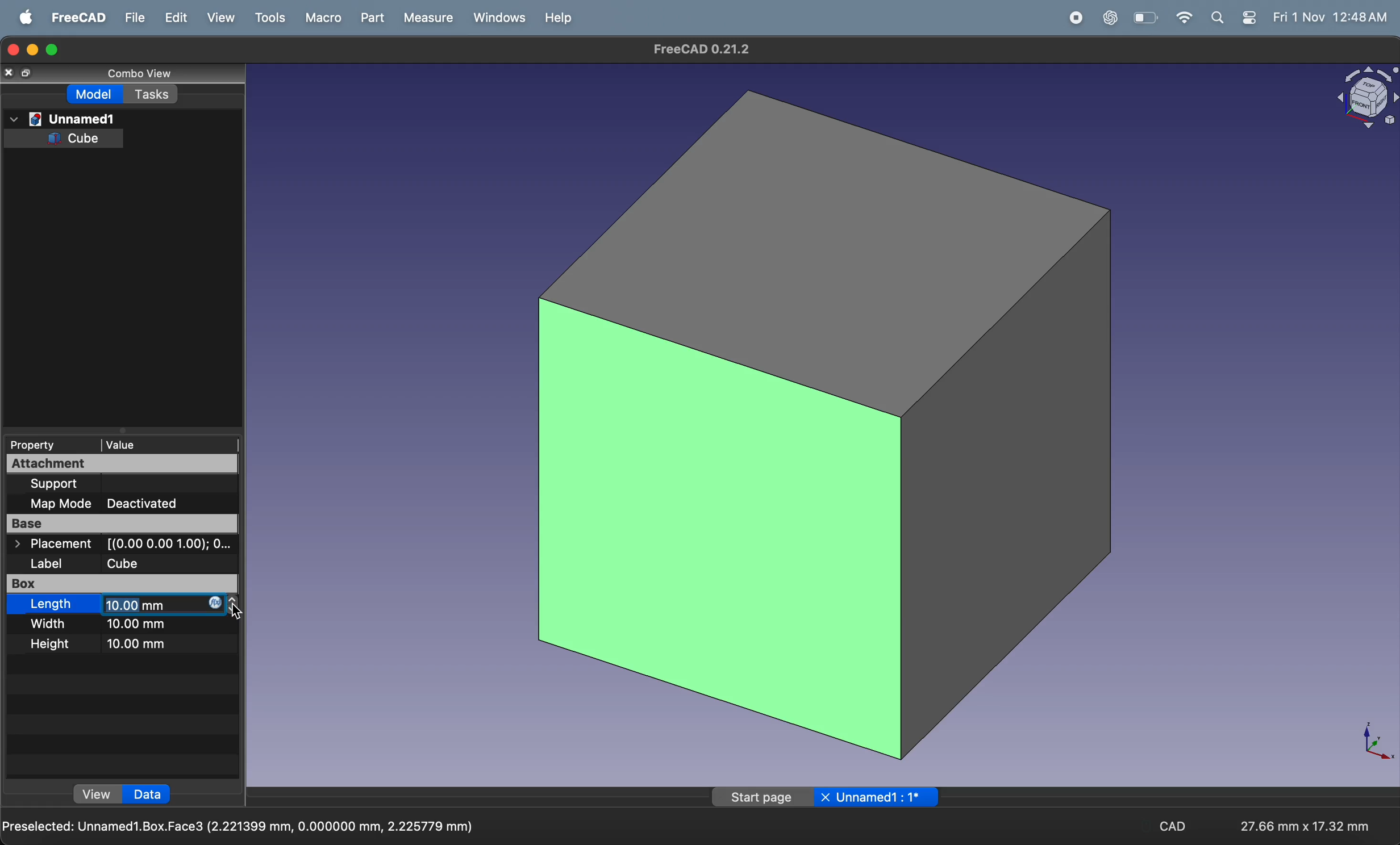 The image size is (1400, 845). What do you see at coordinates (495, 17) in the screenshot?
I see `windows` at bounding box center [495, 17].